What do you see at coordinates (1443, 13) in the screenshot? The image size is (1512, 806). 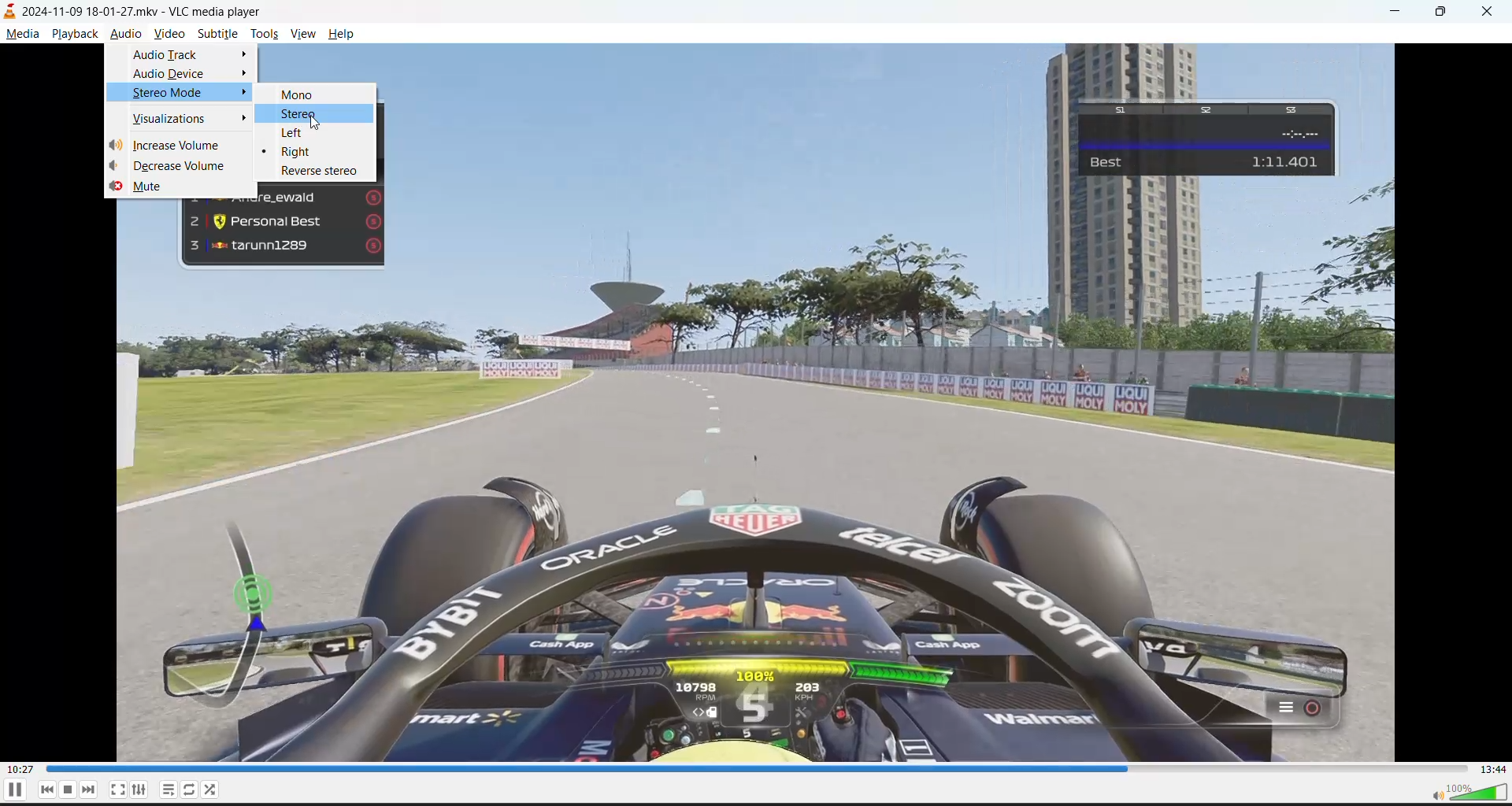 I see `maximize` at bounding box center [1443, 13].